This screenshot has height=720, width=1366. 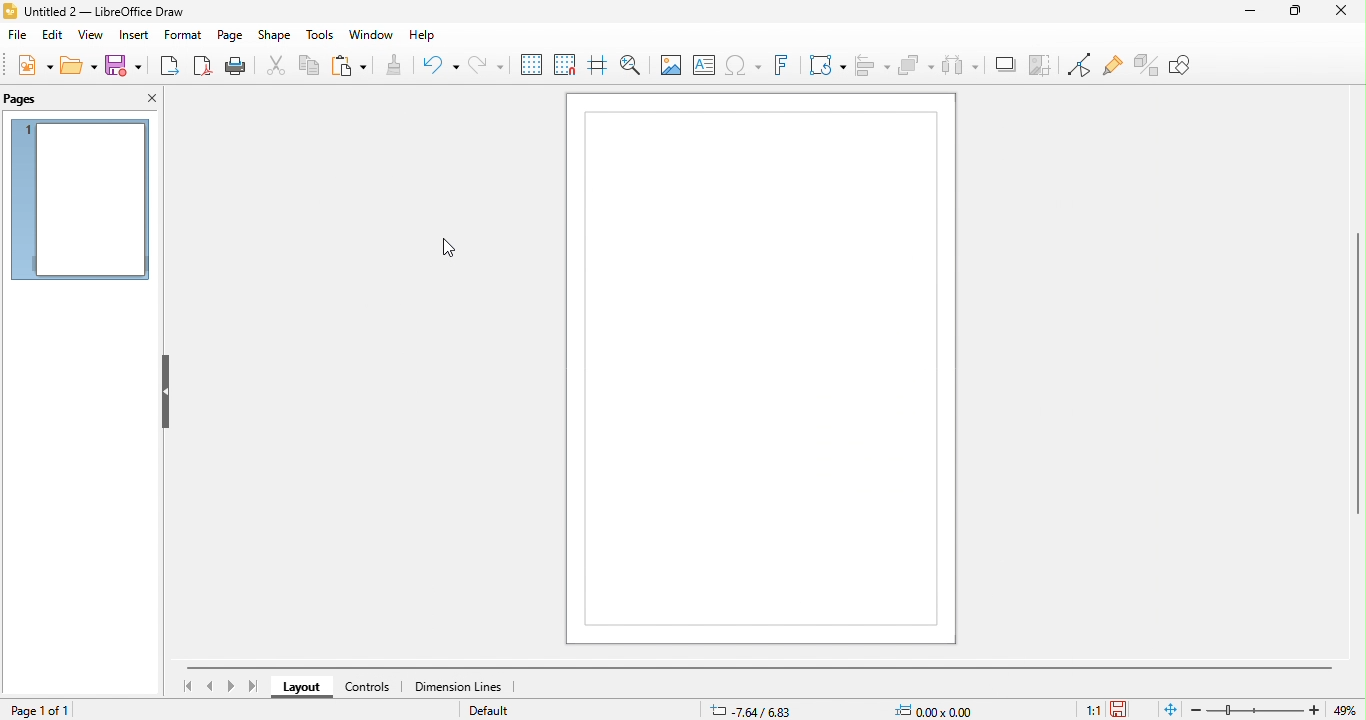 What do you see at coordinates (91, 35) in the screenshot?
I see `view` at bounding box center [91, 35].